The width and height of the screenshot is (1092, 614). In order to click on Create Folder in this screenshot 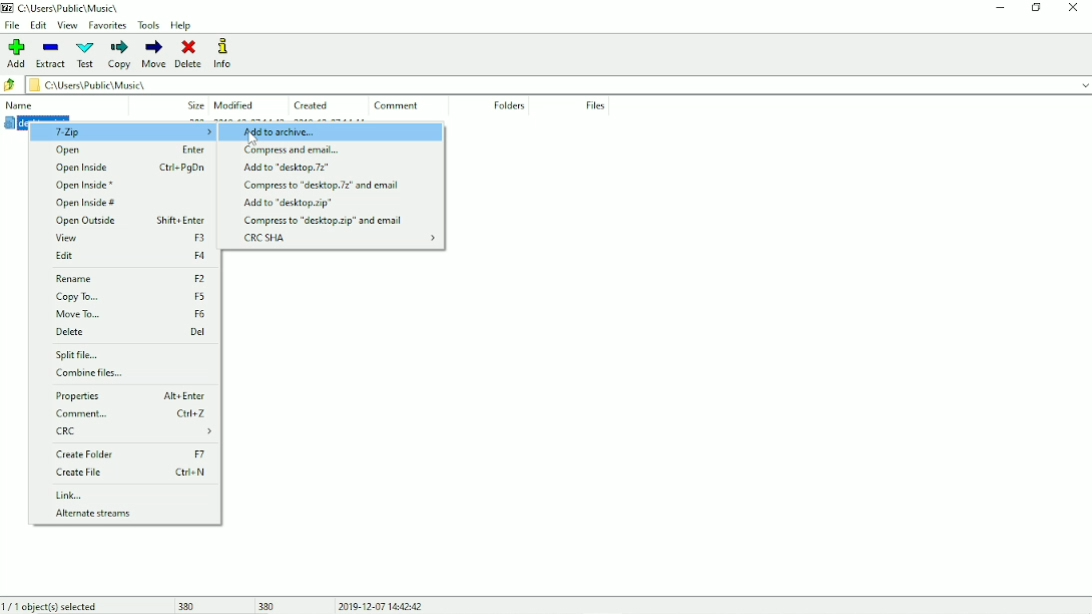, I will do `click(131, 454)`.